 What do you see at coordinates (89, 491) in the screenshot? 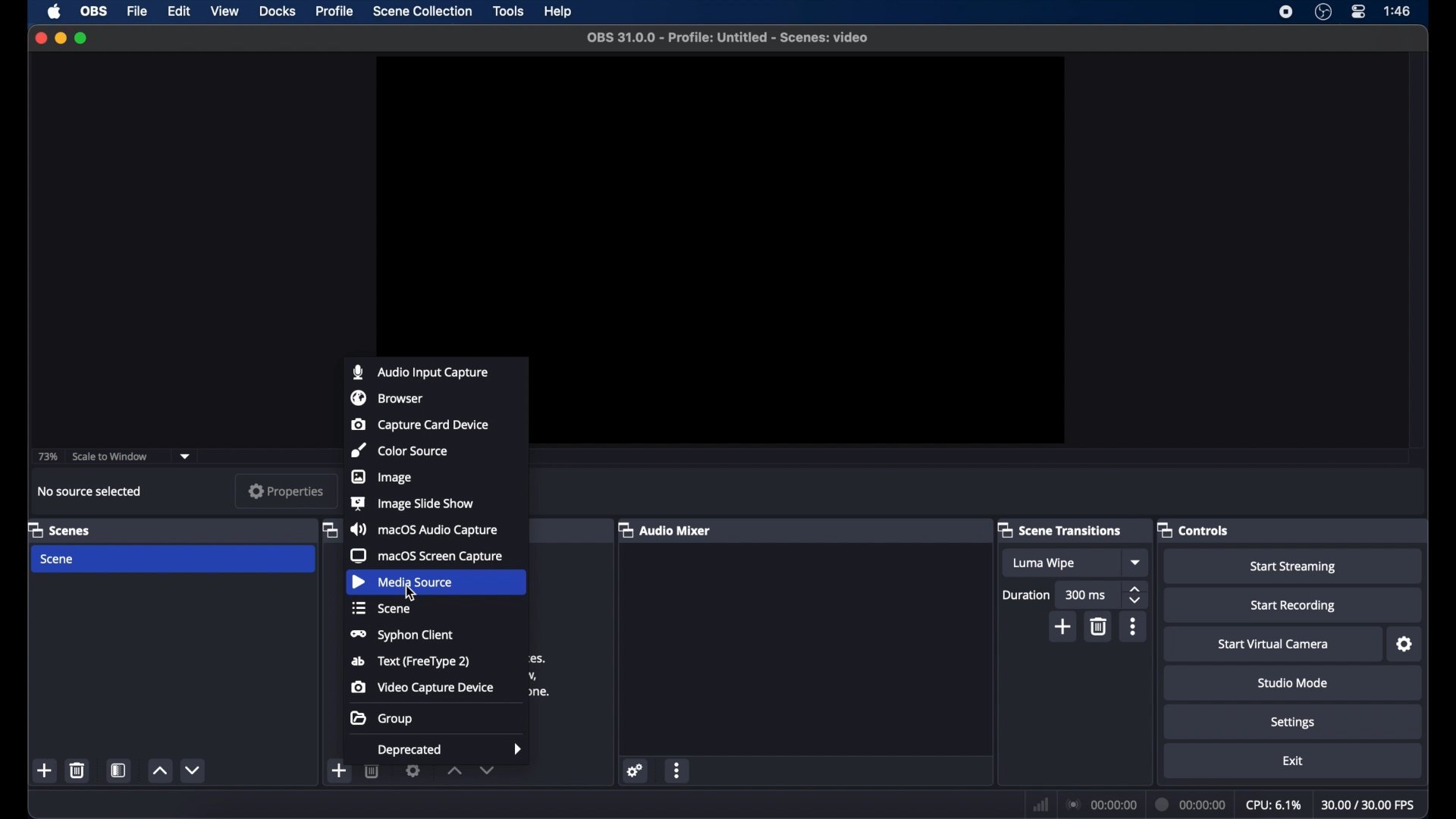
I see `no source selected` at bounding box center [89, 491].